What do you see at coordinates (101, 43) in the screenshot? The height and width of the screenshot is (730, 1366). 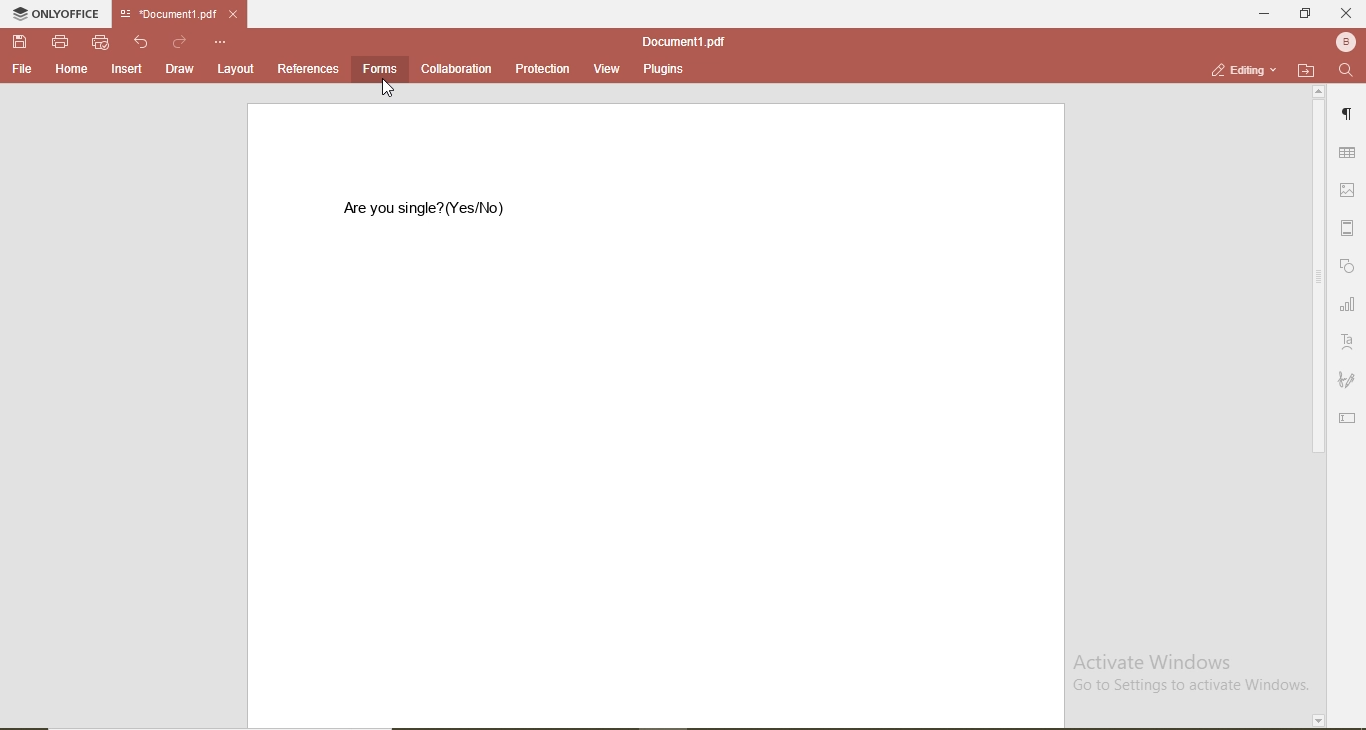 I see `quick print` at bounding box center [101, 43].